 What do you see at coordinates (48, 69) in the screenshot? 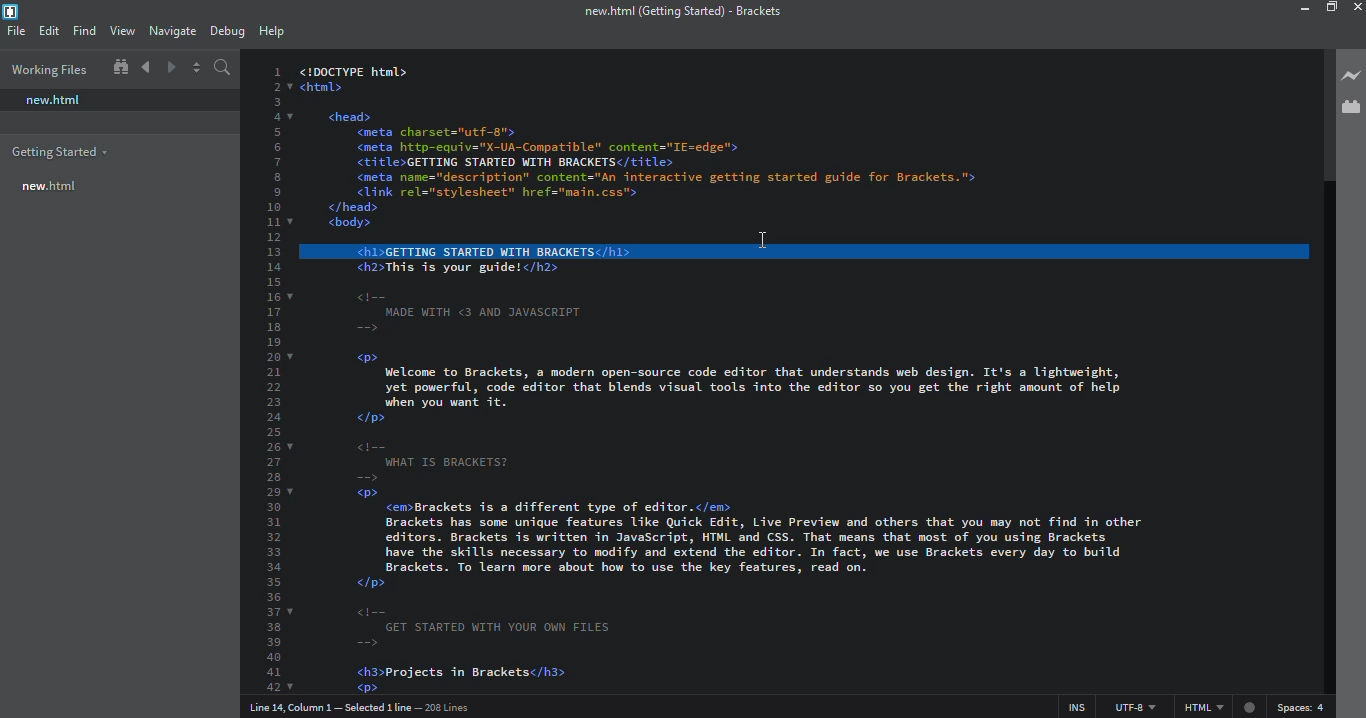
I see `working files` at bounding box center [48, 69].